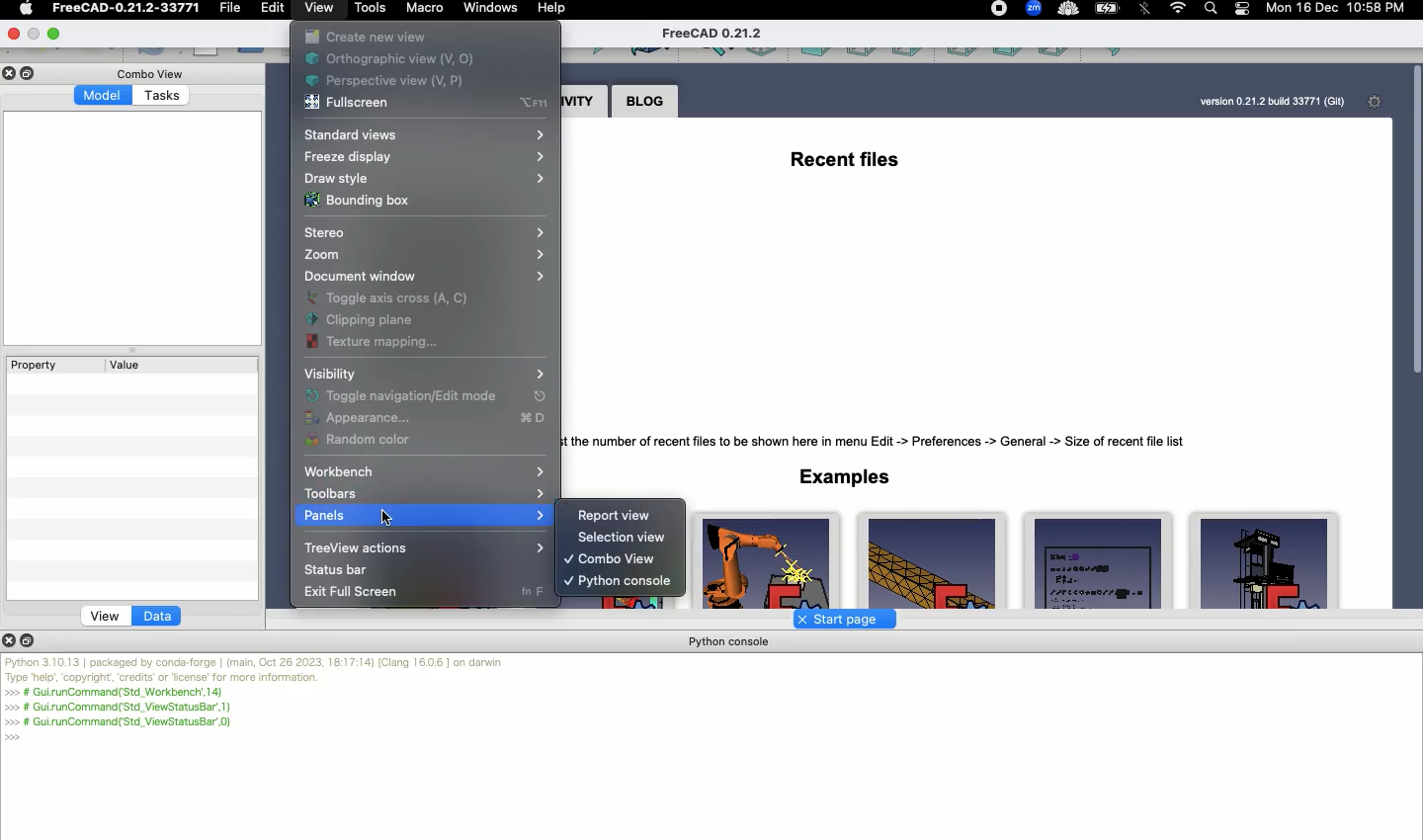  What do you see at coordinates (1414, 333) in the screenshot?
I see `Scroll` at bounding box center [1414, 333].